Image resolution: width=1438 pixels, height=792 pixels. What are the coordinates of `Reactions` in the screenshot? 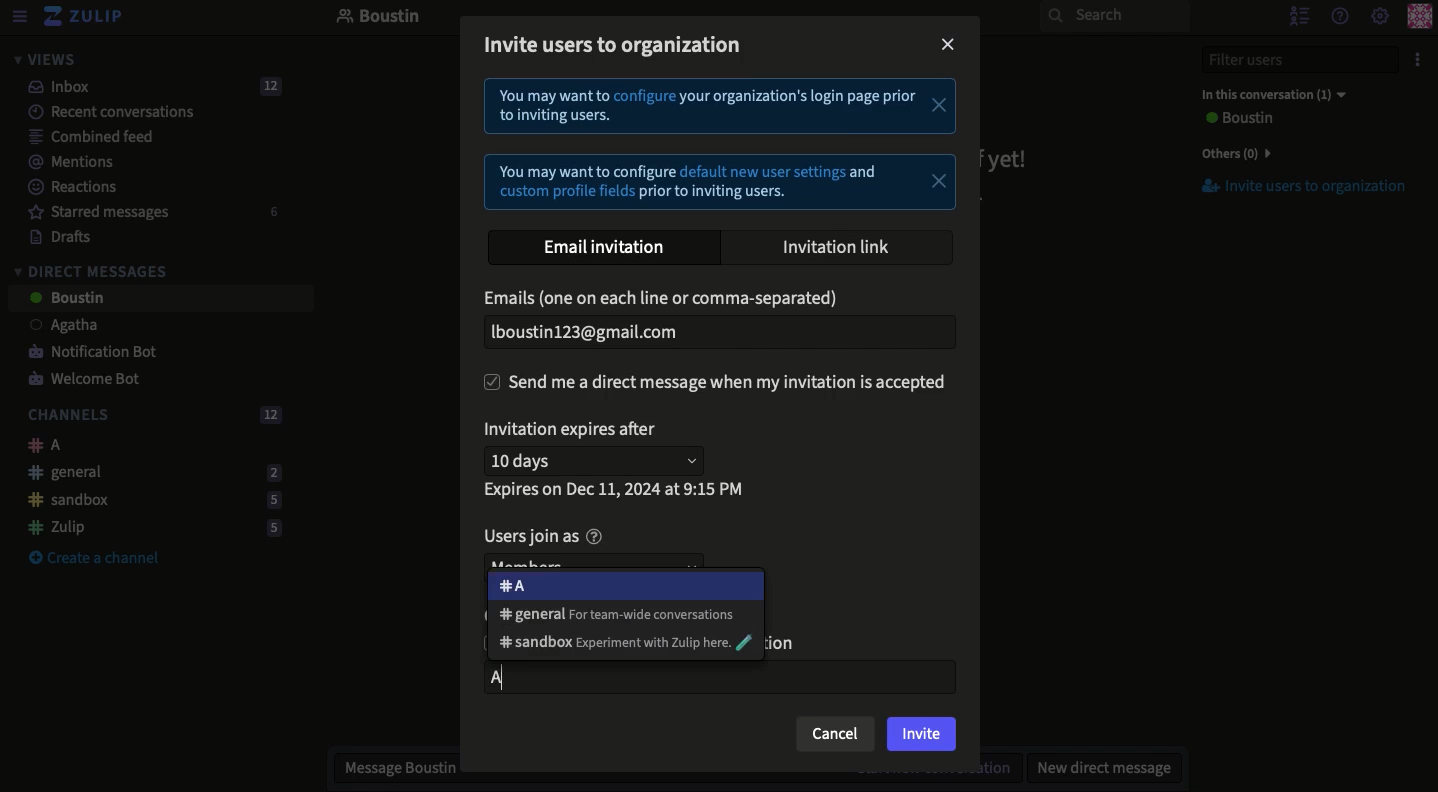 It's located at (69, 189).